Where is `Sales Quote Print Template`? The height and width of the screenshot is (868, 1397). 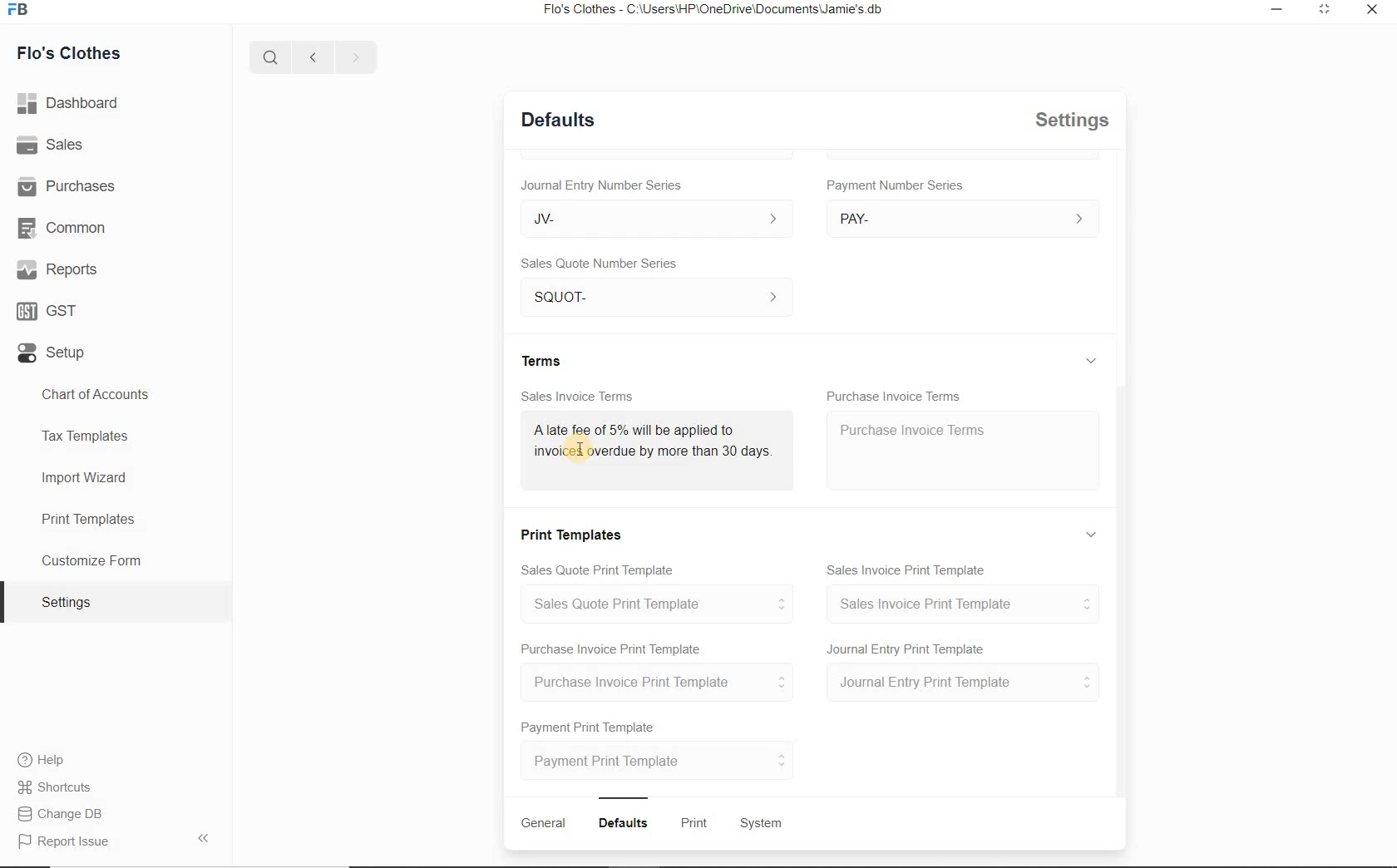
Sales Quote Print Template is located at coordinates (664, 604).